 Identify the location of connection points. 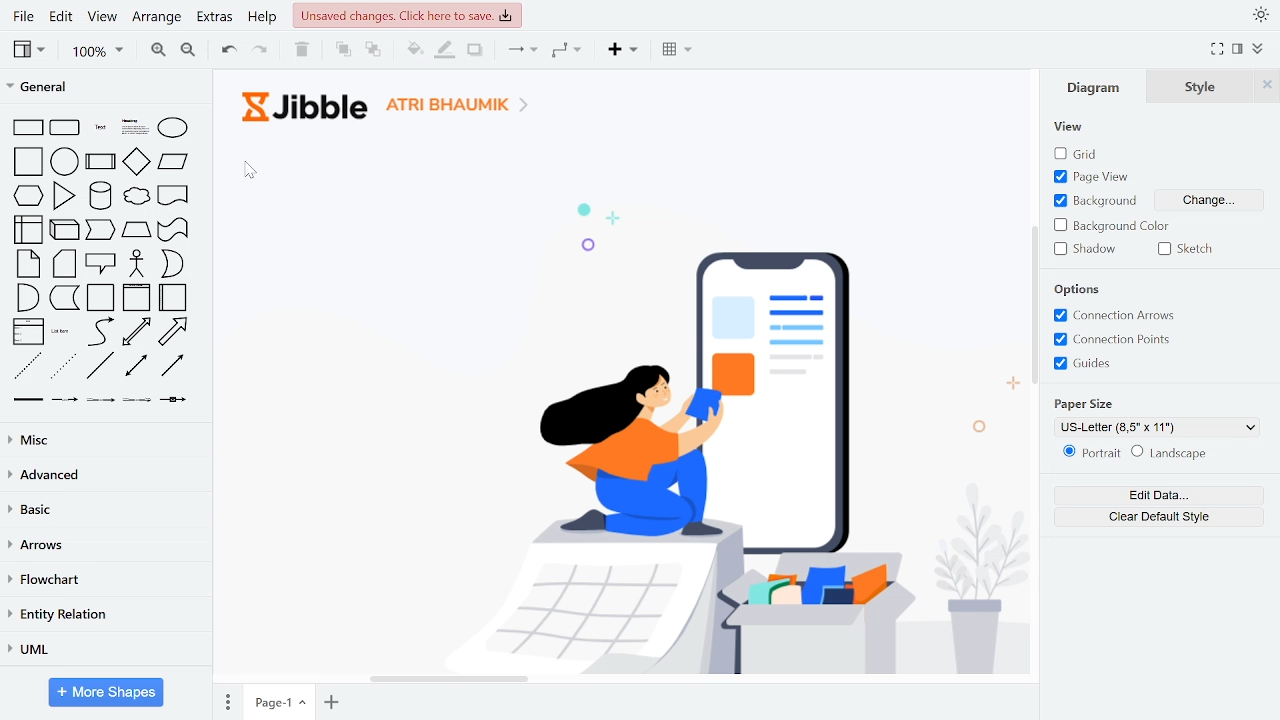
(1120, 340).